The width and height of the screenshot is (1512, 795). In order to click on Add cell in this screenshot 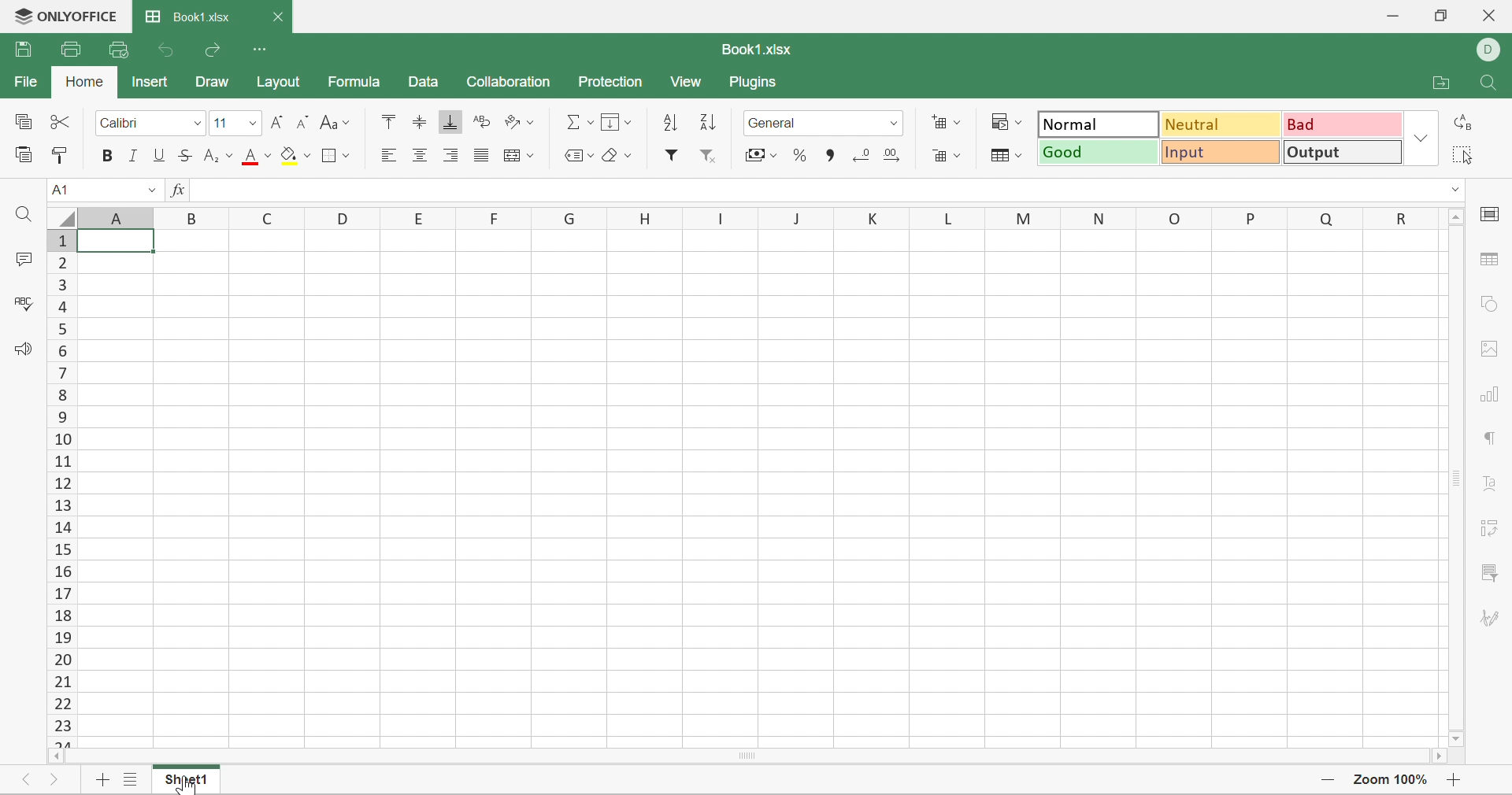, I will do `click(944, 122)`.